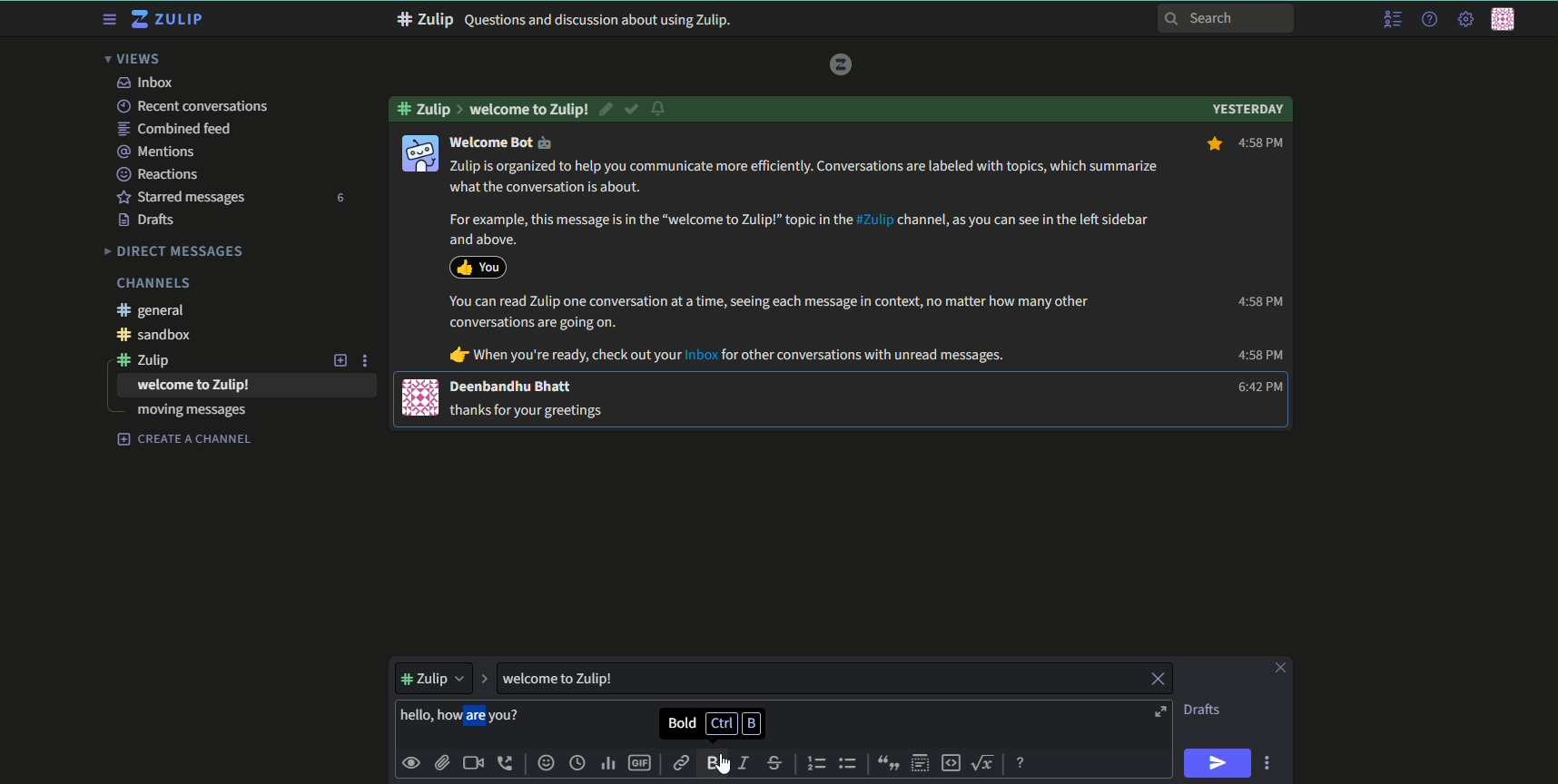 Image resolution: width=1558 pixels, height=784 pixels. Describe the element at coordinates (429, 109) in the screenshot. I see `#zulip` at that location.